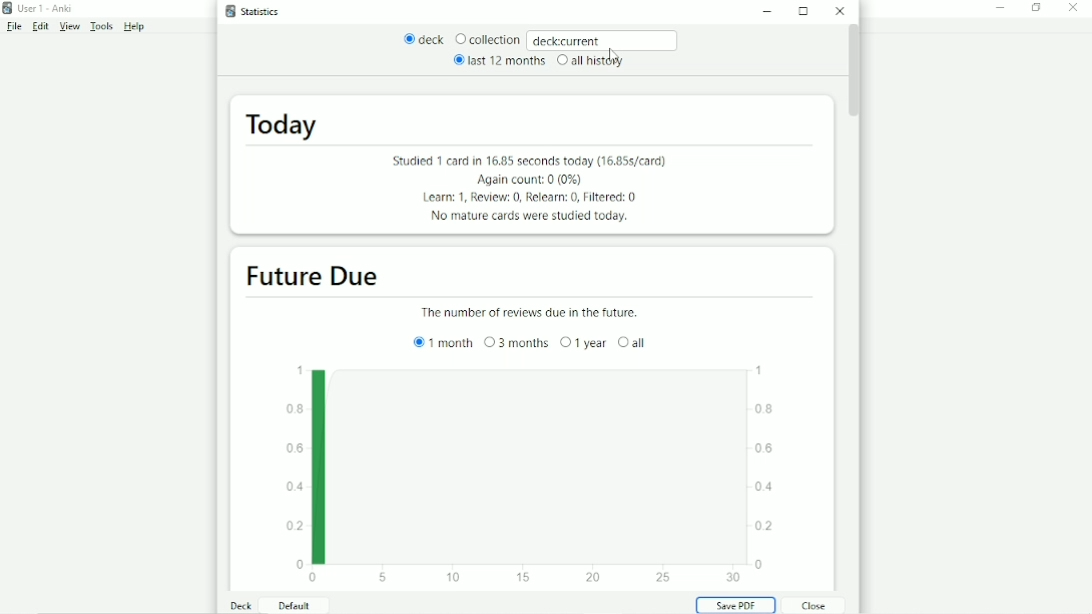 This screenshot has height=614, width=1092. Describe the element at coordinates (1036, 7) in the screenshot. I see `Restore down` at that location.